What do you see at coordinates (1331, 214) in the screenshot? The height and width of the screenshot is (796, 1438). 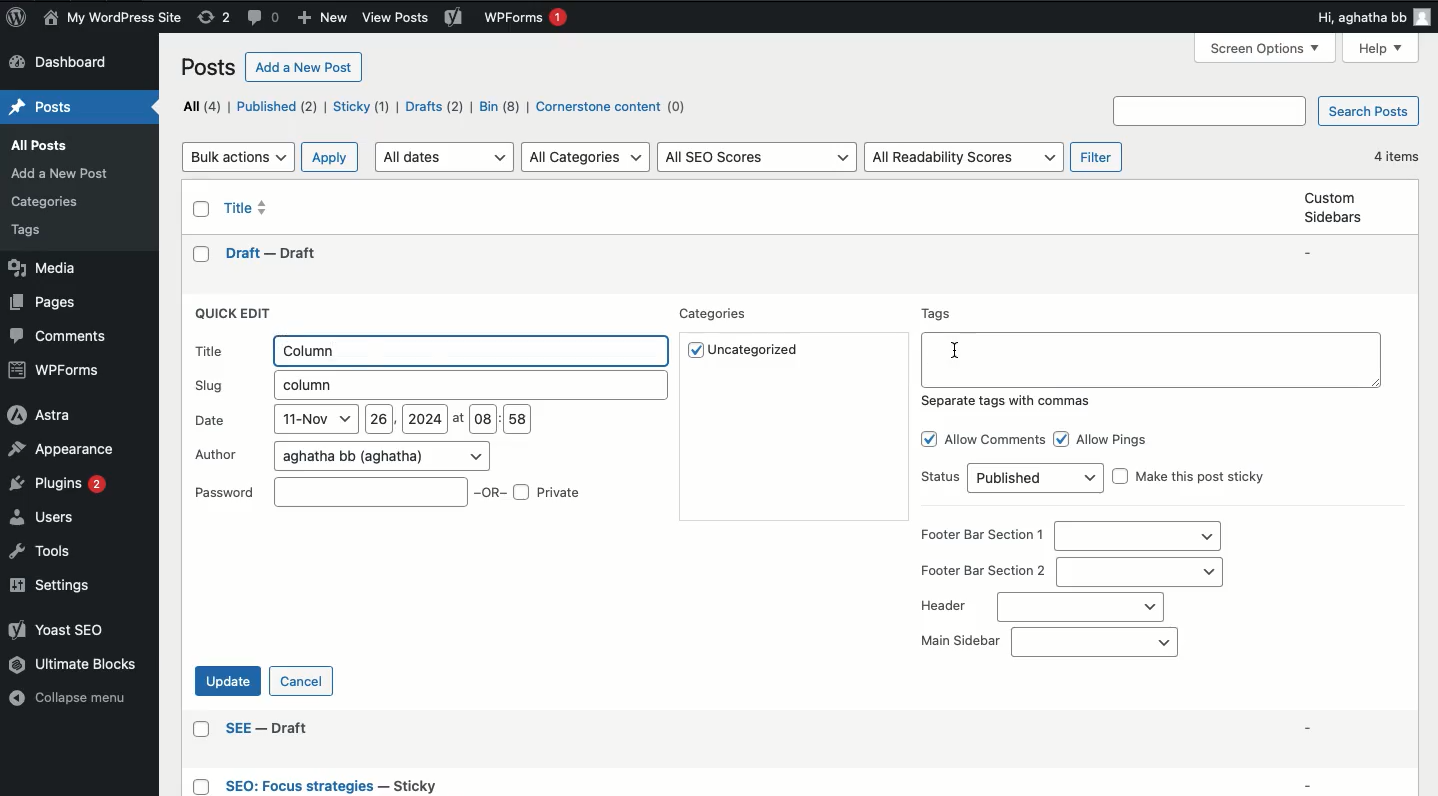 I see `Custom sidebars` at bounding box center [1331, 214].